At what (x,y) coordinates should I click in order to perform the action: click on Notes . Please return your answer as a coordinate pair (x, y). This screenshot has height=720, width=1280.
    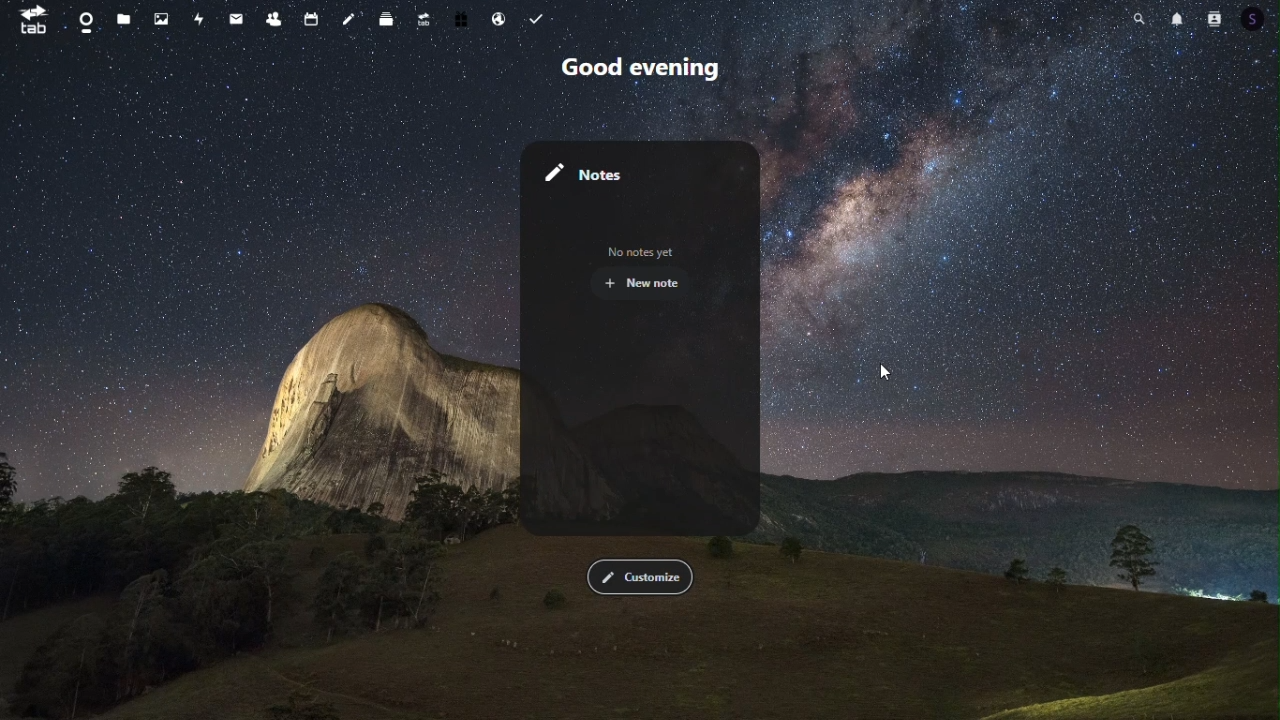
    Looking at the image, I should click on (350, 19).